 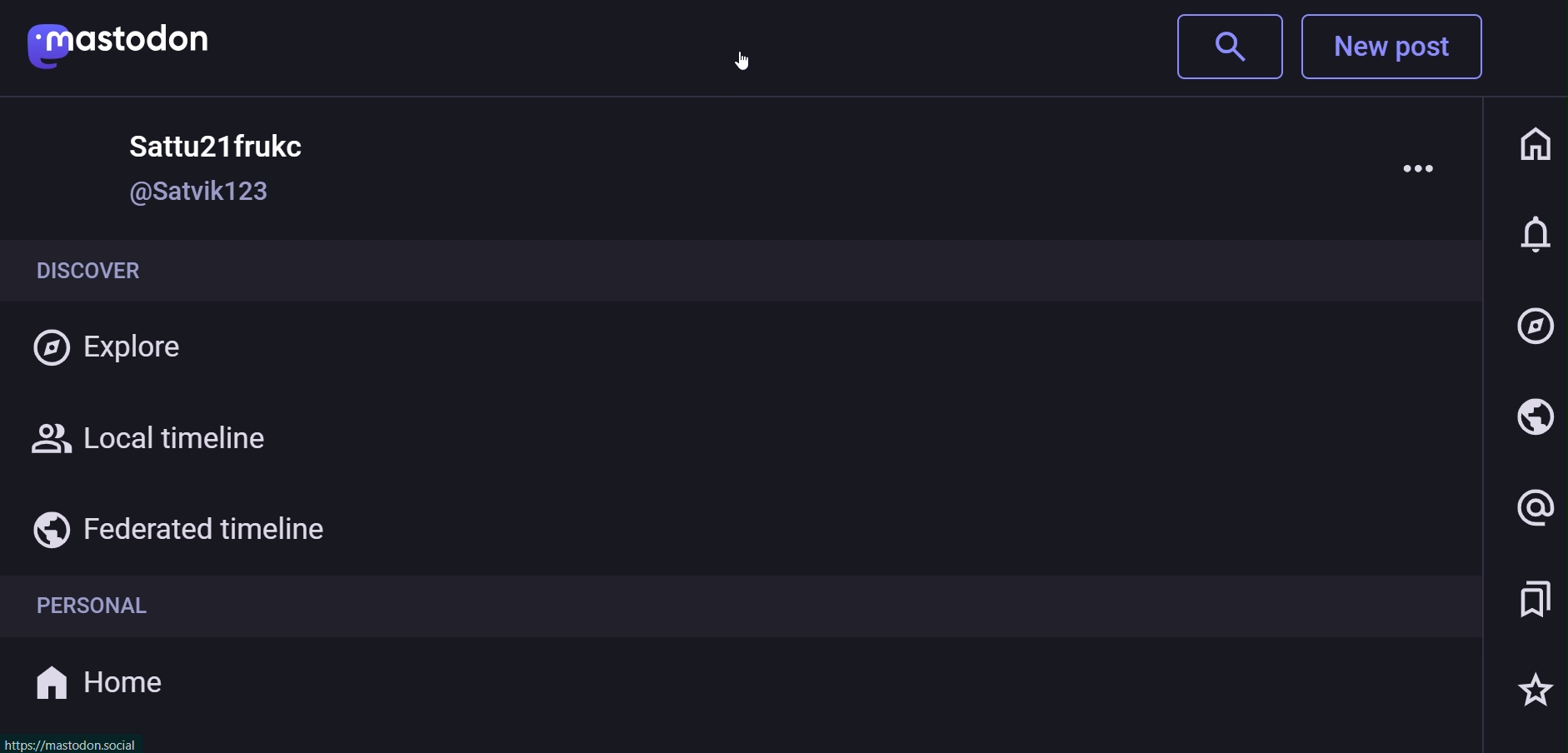 I want to click on more, so click(x=1418, y=167).